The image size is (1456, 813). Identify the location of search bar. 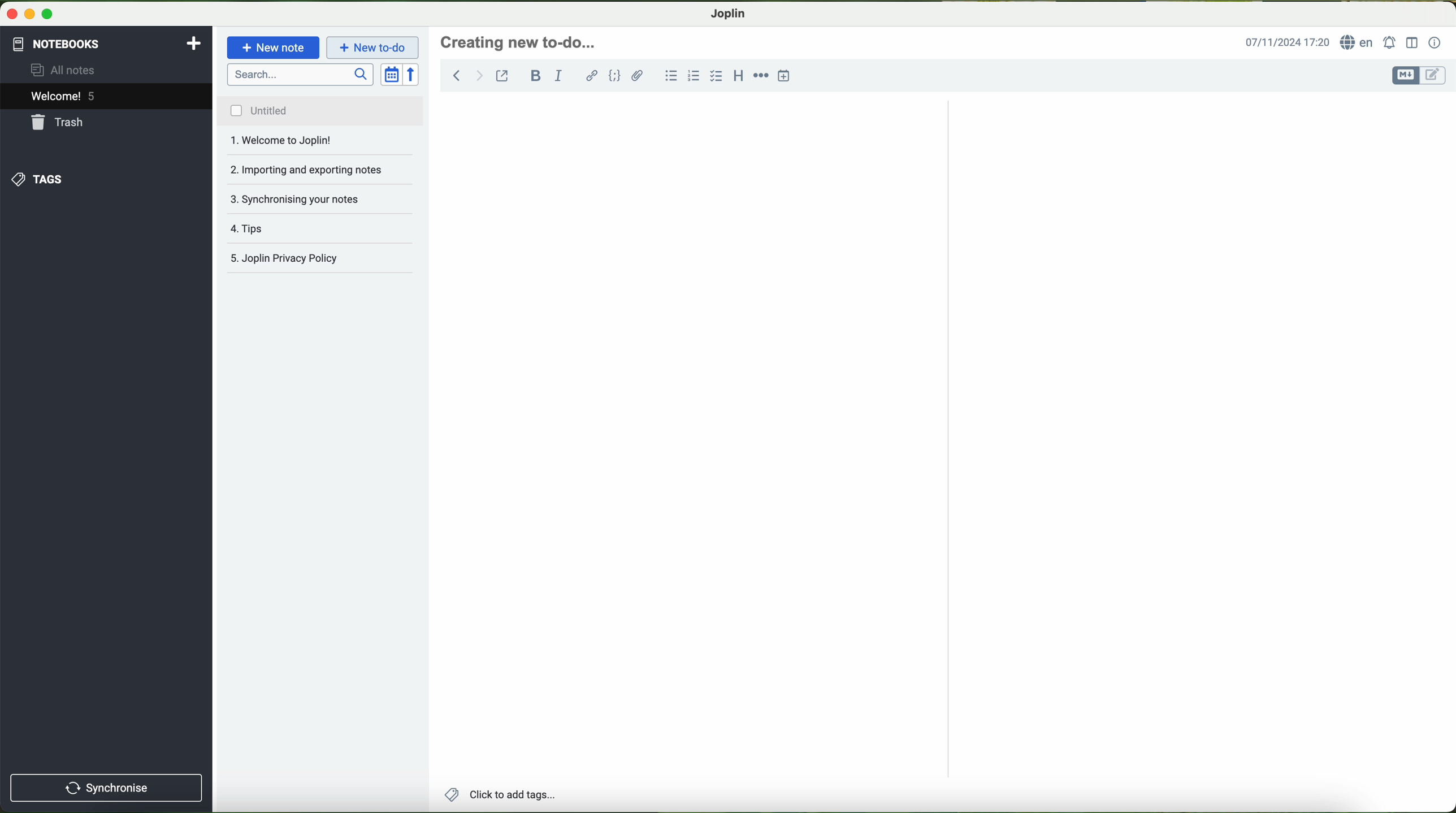
(302, 73).